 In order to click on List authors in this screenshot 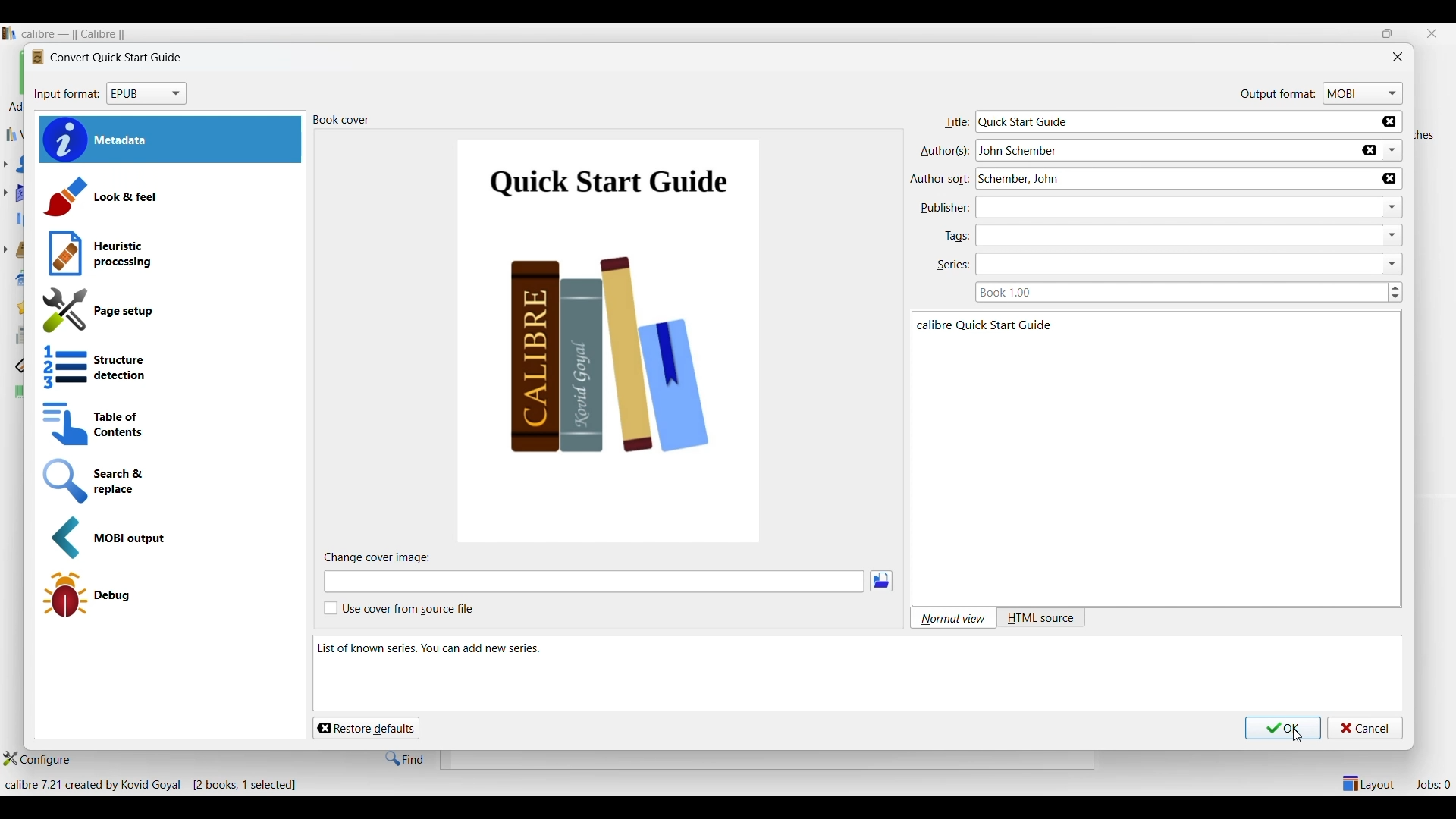, I will do `click(1392, 150)`.